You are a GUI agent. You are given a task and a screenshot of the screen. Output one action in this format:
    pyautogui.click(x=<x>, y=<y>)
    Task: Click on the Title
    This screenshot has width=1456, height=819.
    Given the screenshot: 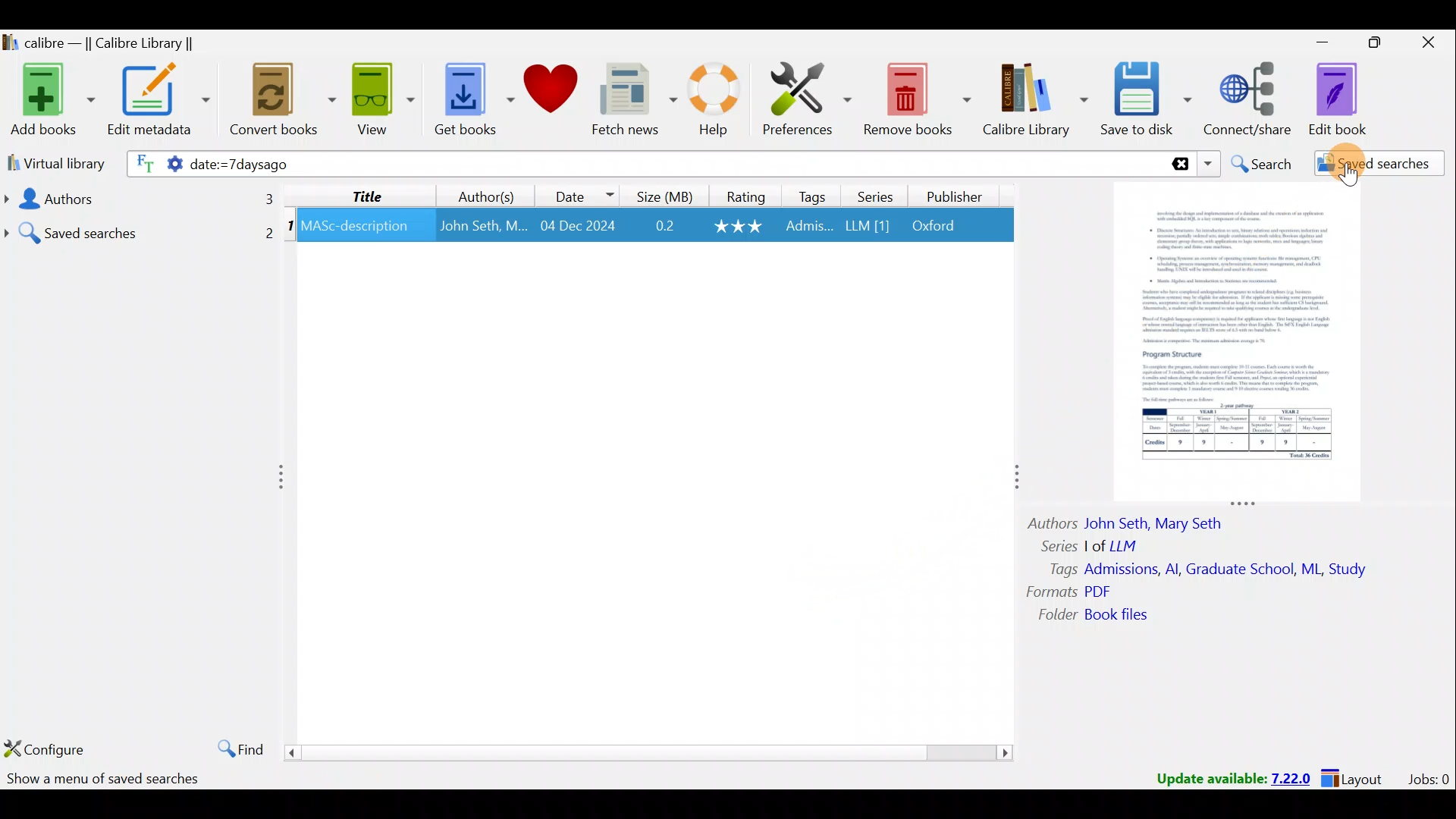 What is the action you would take?
    pyautogui.click(x=368, y=195)
    